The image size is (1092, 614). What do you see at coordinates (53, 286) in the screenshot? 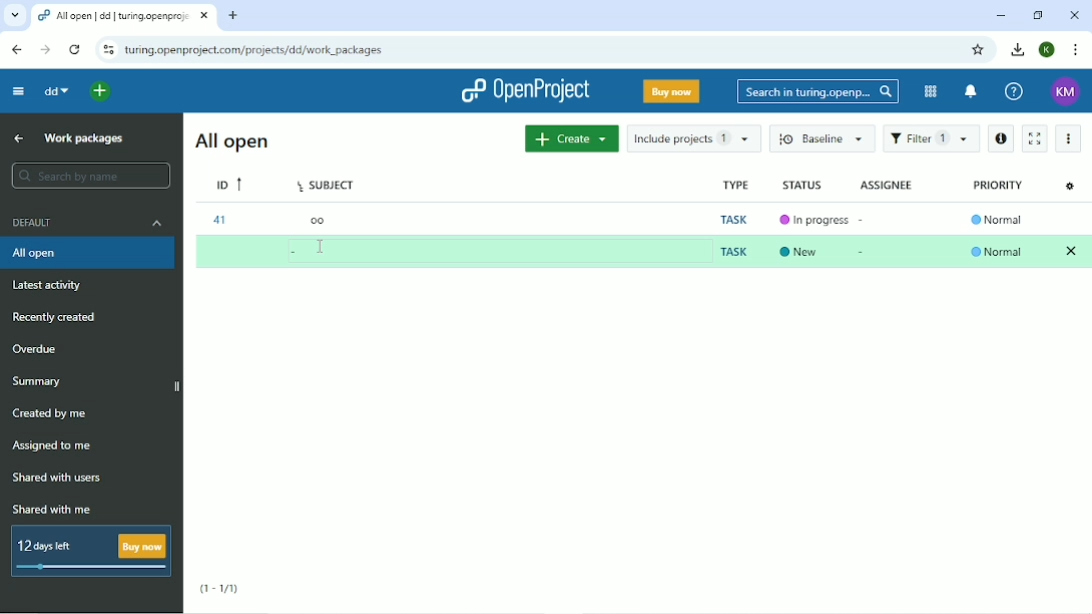
I see `Latest activity` at bounding box center [53, 286].